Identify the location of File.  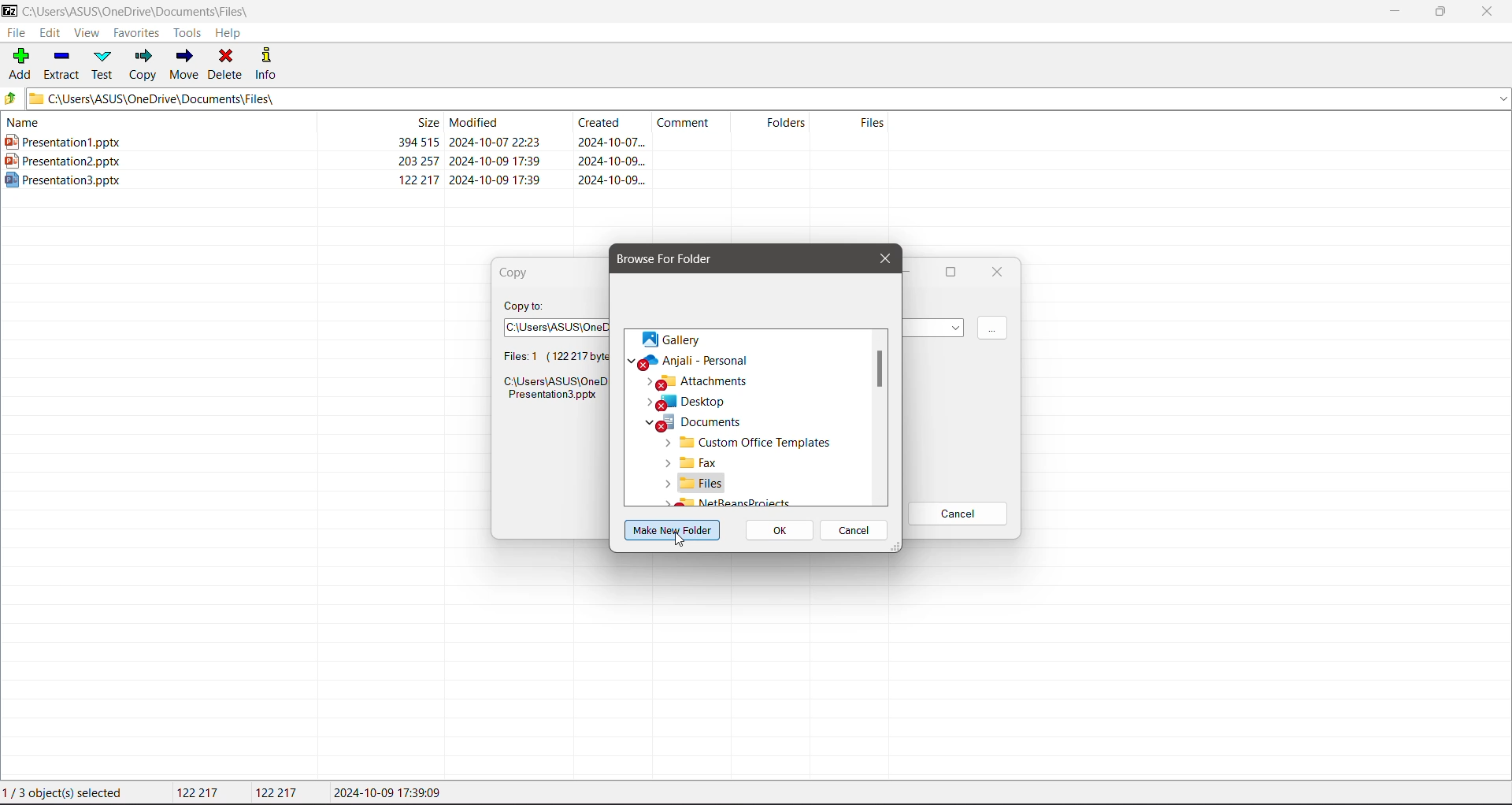
(17, 32).